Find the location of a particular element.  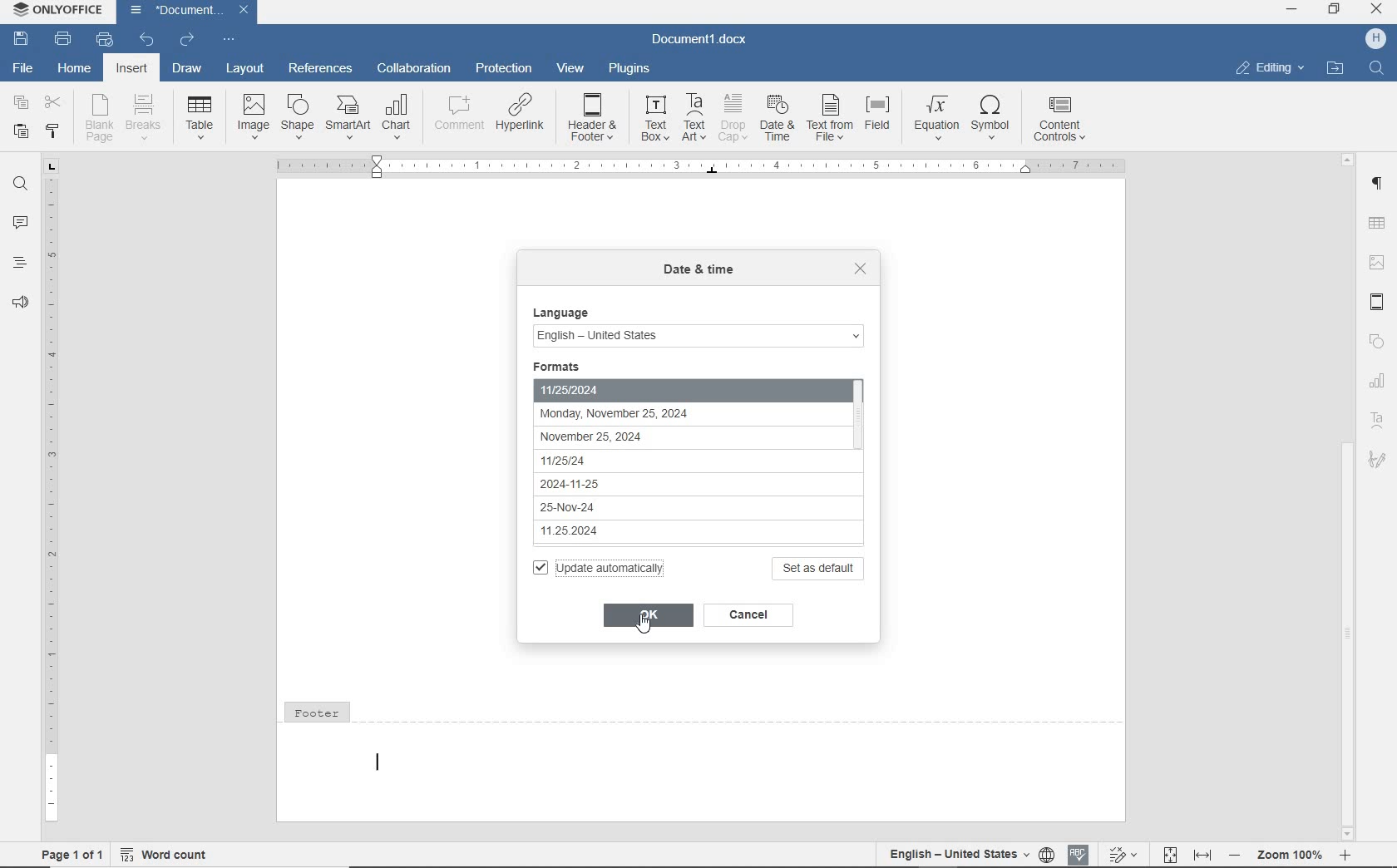

find is located at coordinates (18, 185).